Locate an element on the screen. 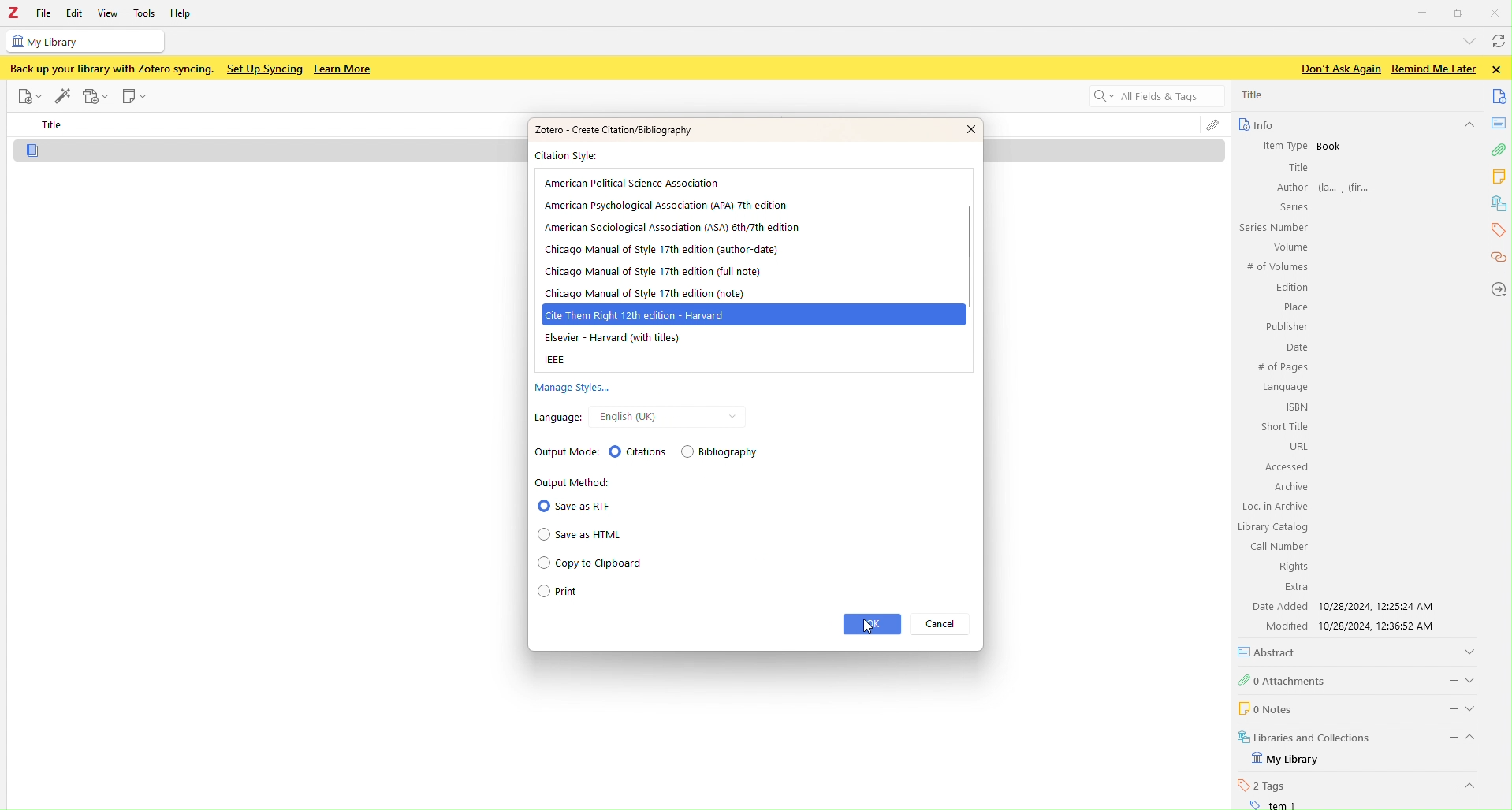  # of Volumes is located at coordinates (1276, 267).